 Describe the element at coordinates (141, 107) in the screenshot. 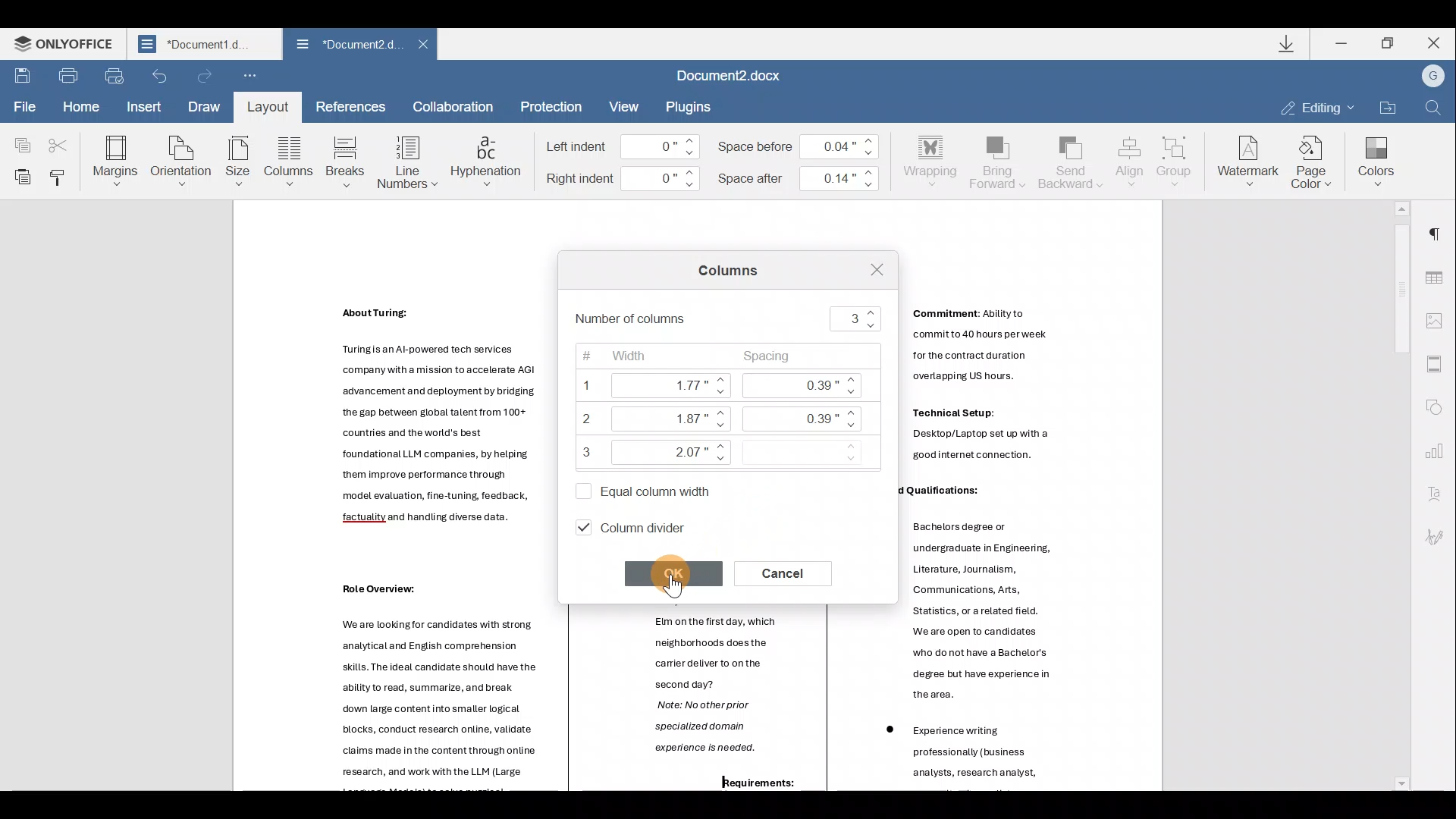

I see `Insert` at that location.